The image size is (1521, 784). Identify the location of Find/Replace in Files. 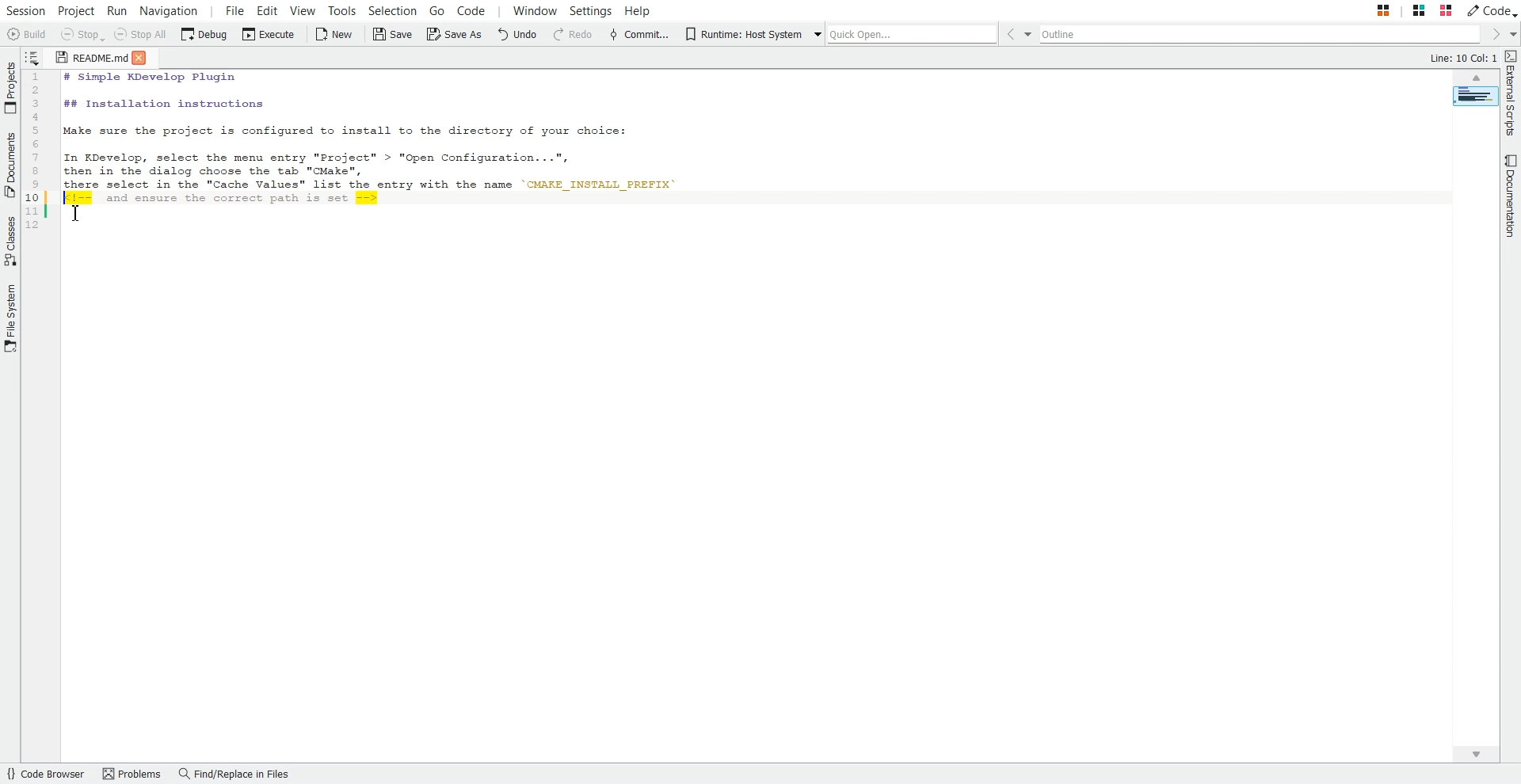
(235, 774).